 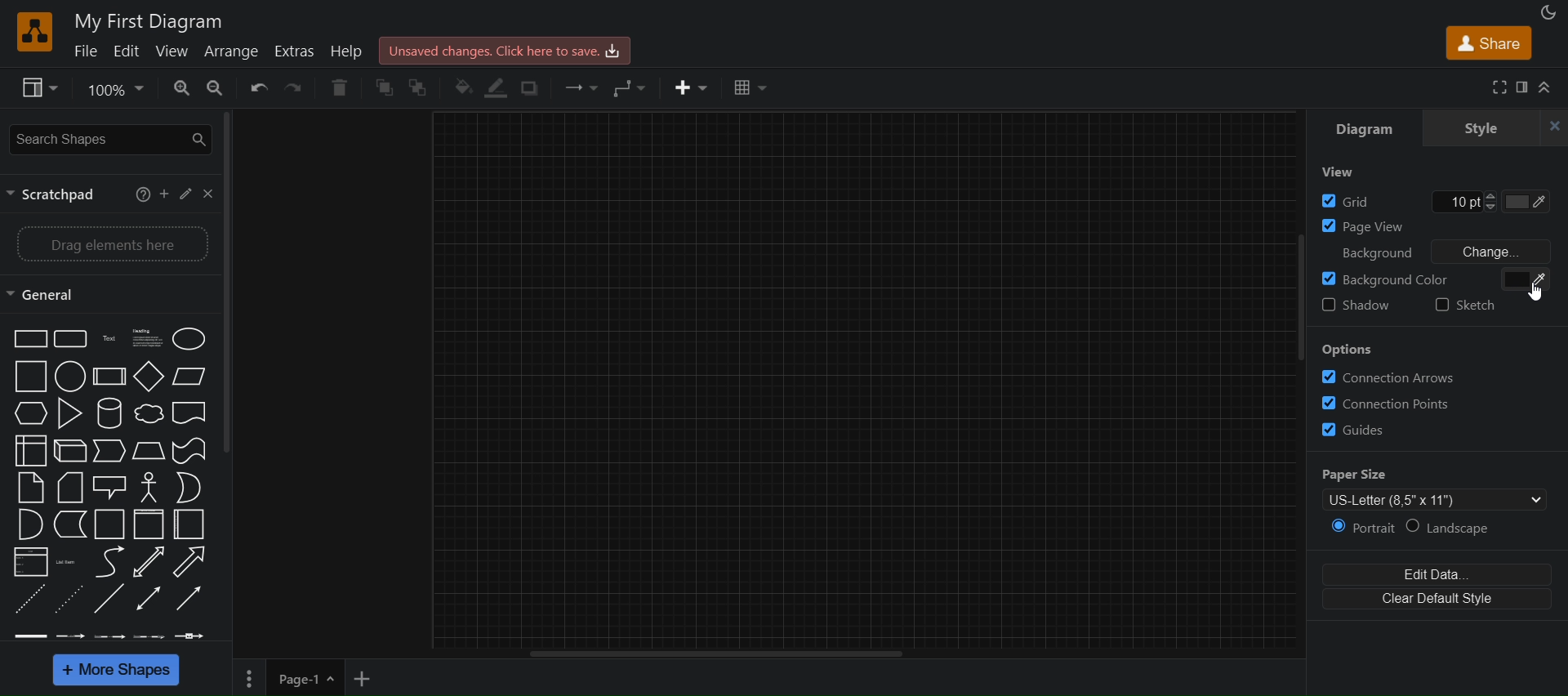 I want to click on scractpad, so click(x=59, y=196).